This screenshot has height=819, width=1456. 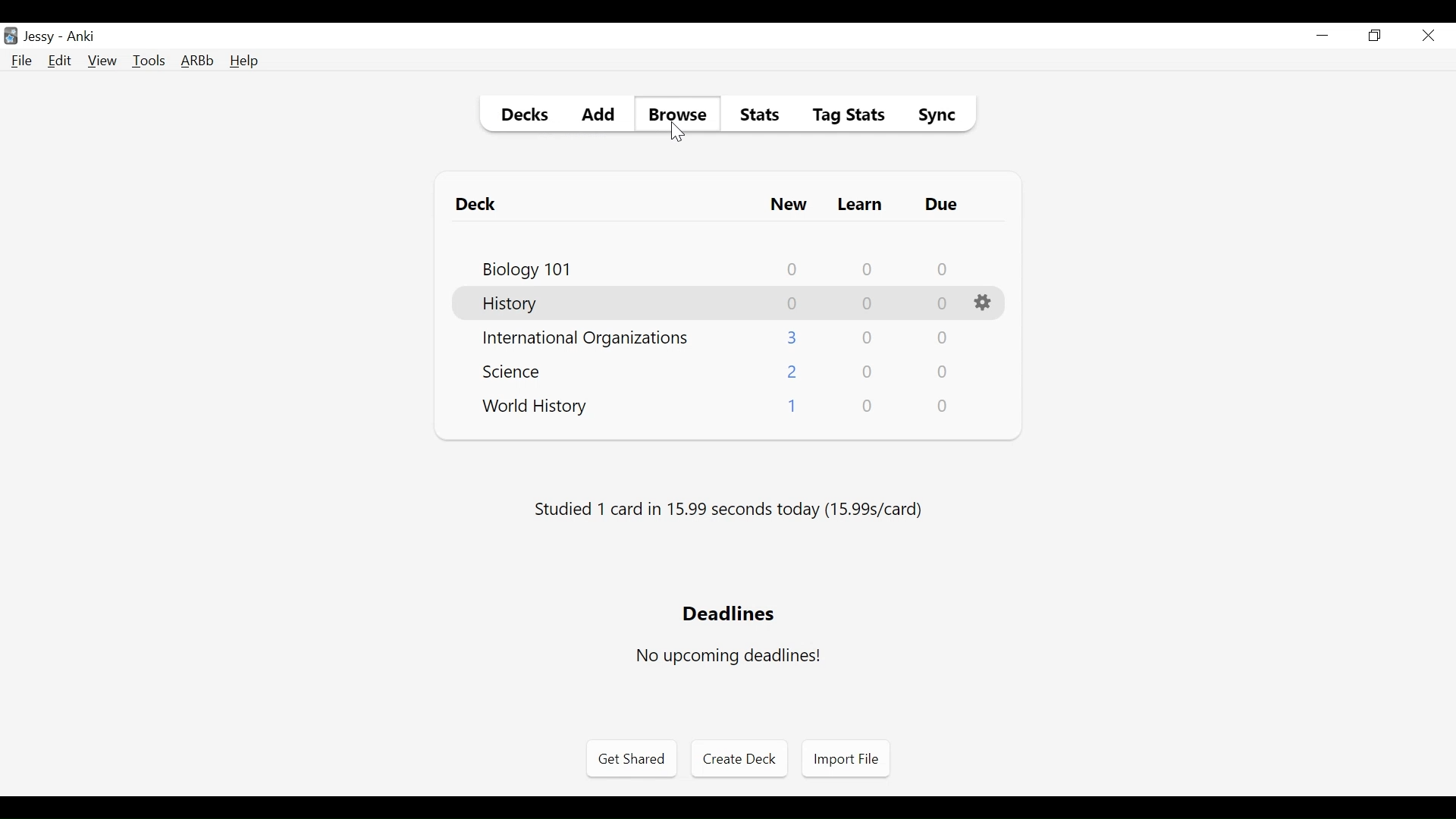 What do you see at coordinates (867, 370) in the screenshot?
I see `Learn Card Count` at bounding box center [867, 370].